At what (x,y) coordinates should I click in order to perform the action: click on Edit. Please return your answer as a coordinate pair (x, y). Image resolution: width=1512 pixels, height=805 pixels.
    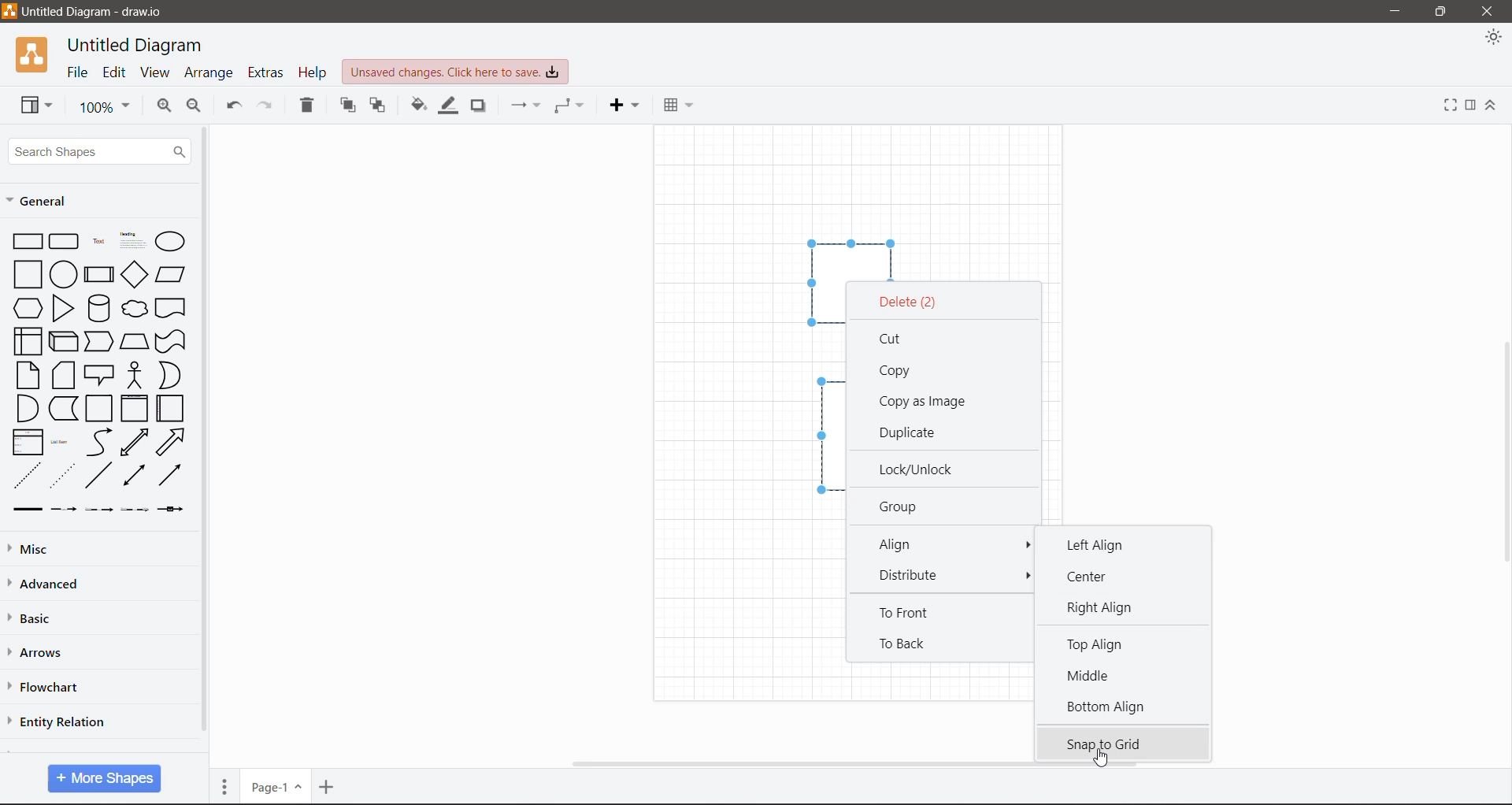
    Looking at the image, I should click on (115, 73).